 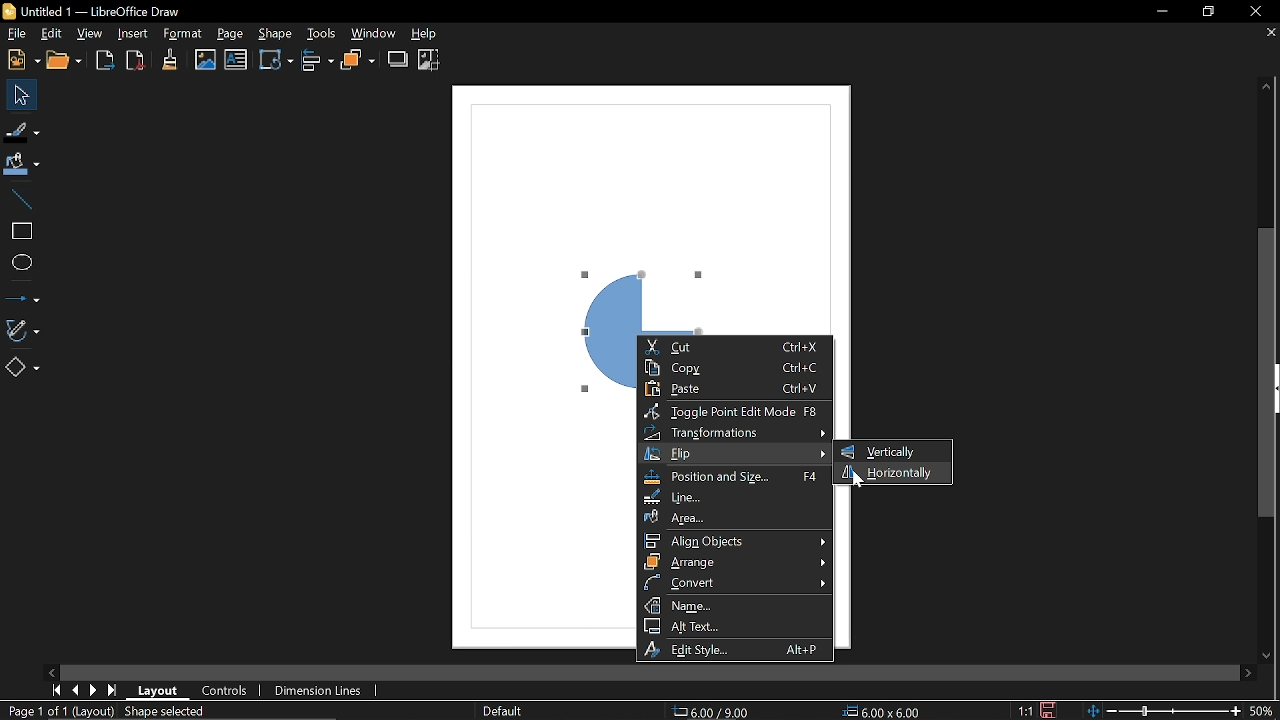 I want to click on Current zoom, so click(x=1264, y=710).